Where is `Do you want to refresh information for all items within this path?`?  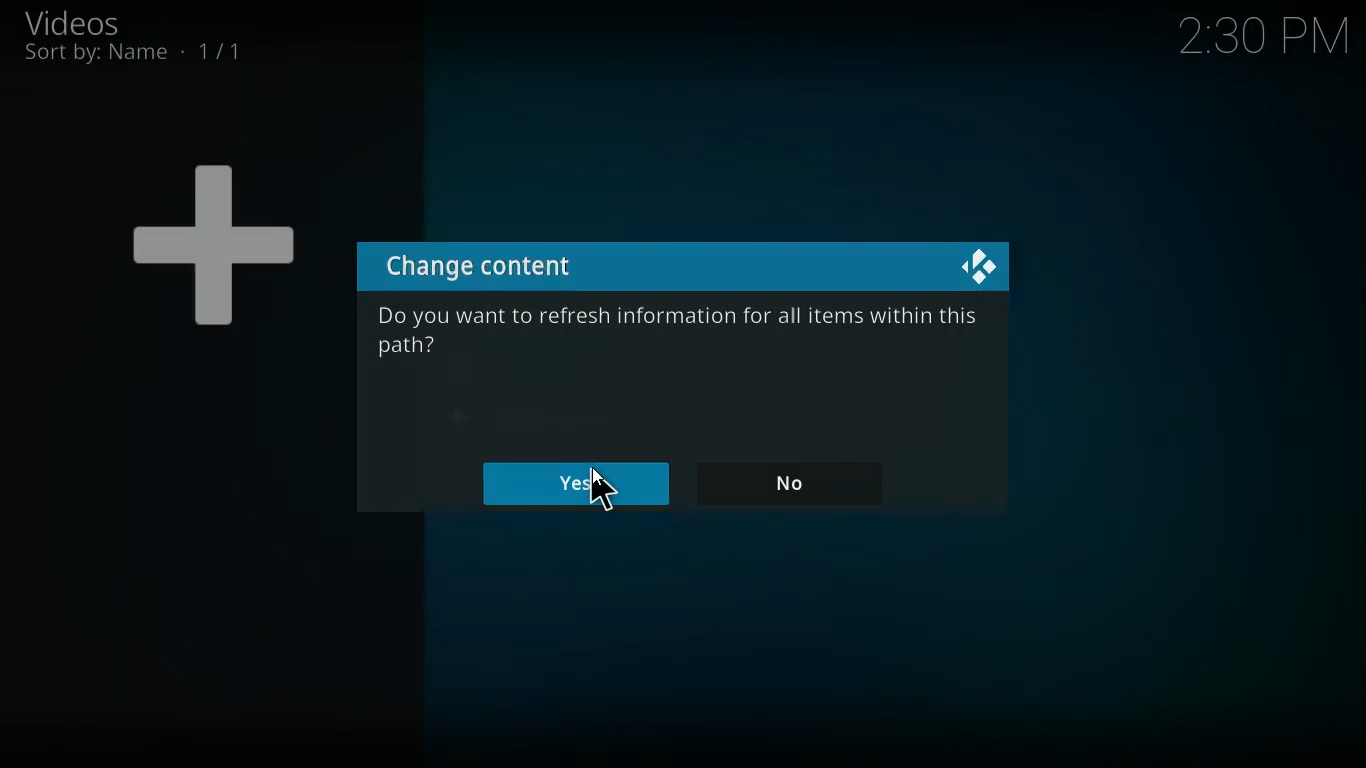
Do you want to refresh information for all items within this path? is located at coordinates (679, 331).